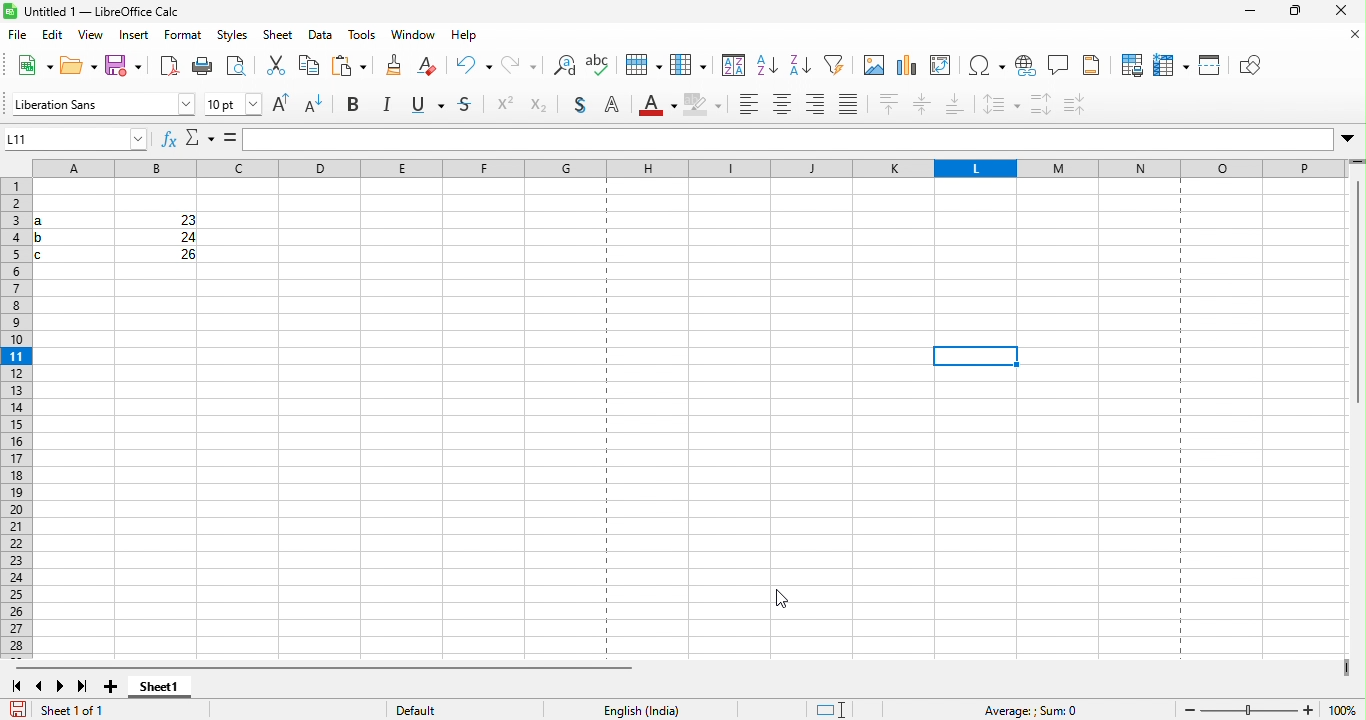  I want to click on superscript, so click(506, 105).